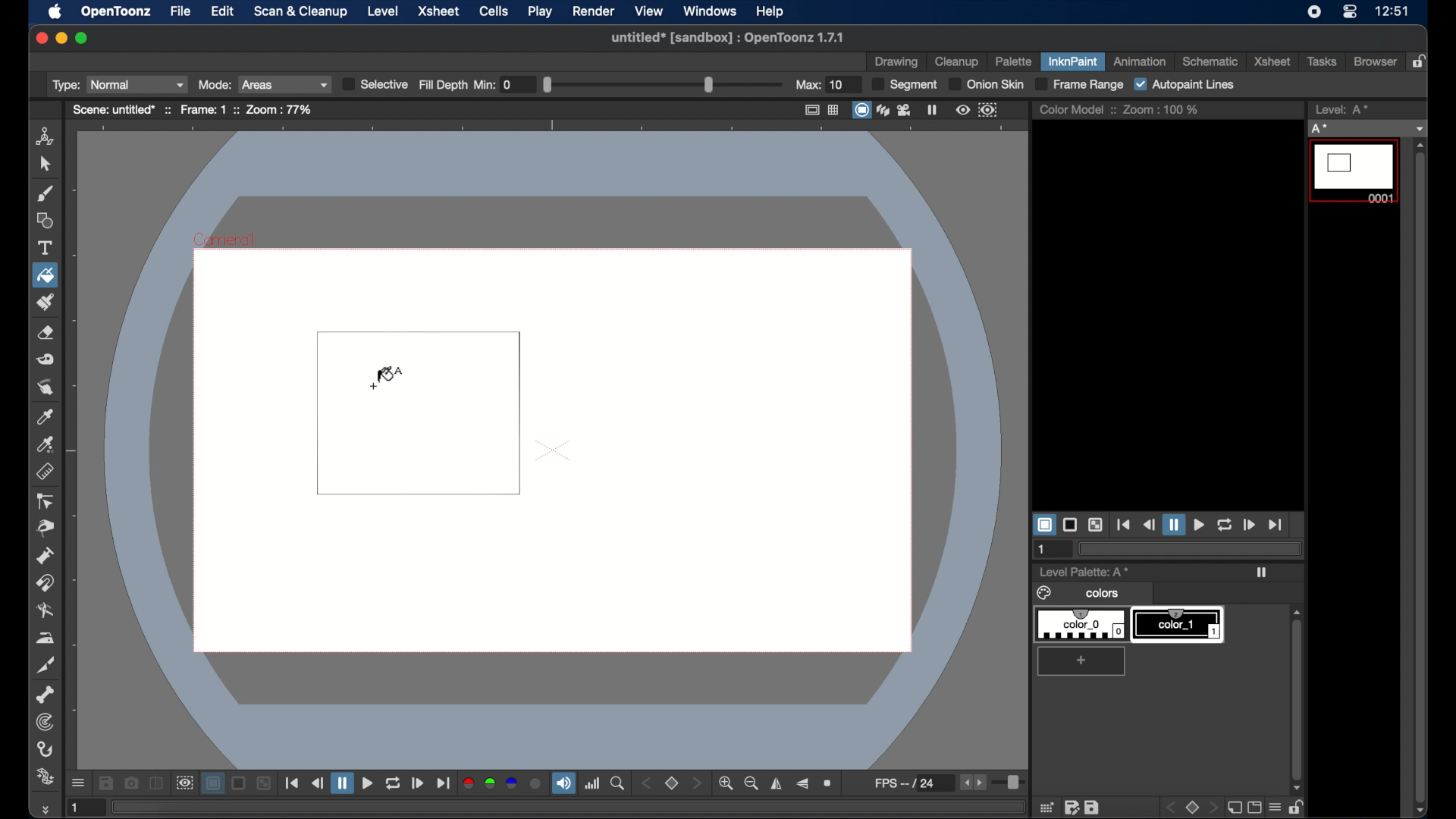  What do you see at coordinates (984, 84) in the screenshot?
I see `onion skin` at bounding box center [984, 84].